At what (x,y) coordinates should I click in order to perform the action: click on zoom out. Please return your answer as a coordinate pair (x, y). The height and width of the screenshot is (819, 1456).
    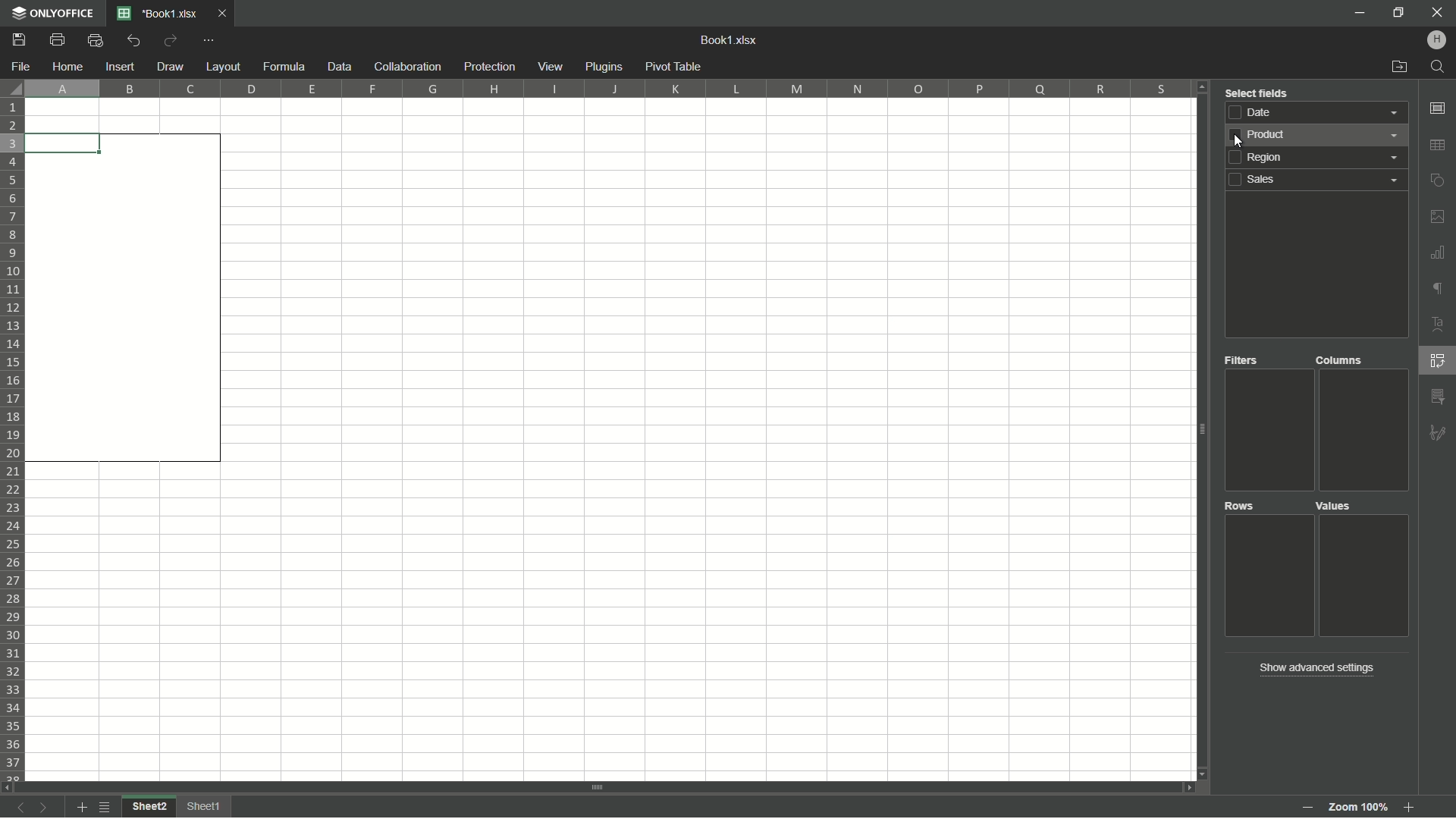
    Looking at the image, I should click on (1305, 808).